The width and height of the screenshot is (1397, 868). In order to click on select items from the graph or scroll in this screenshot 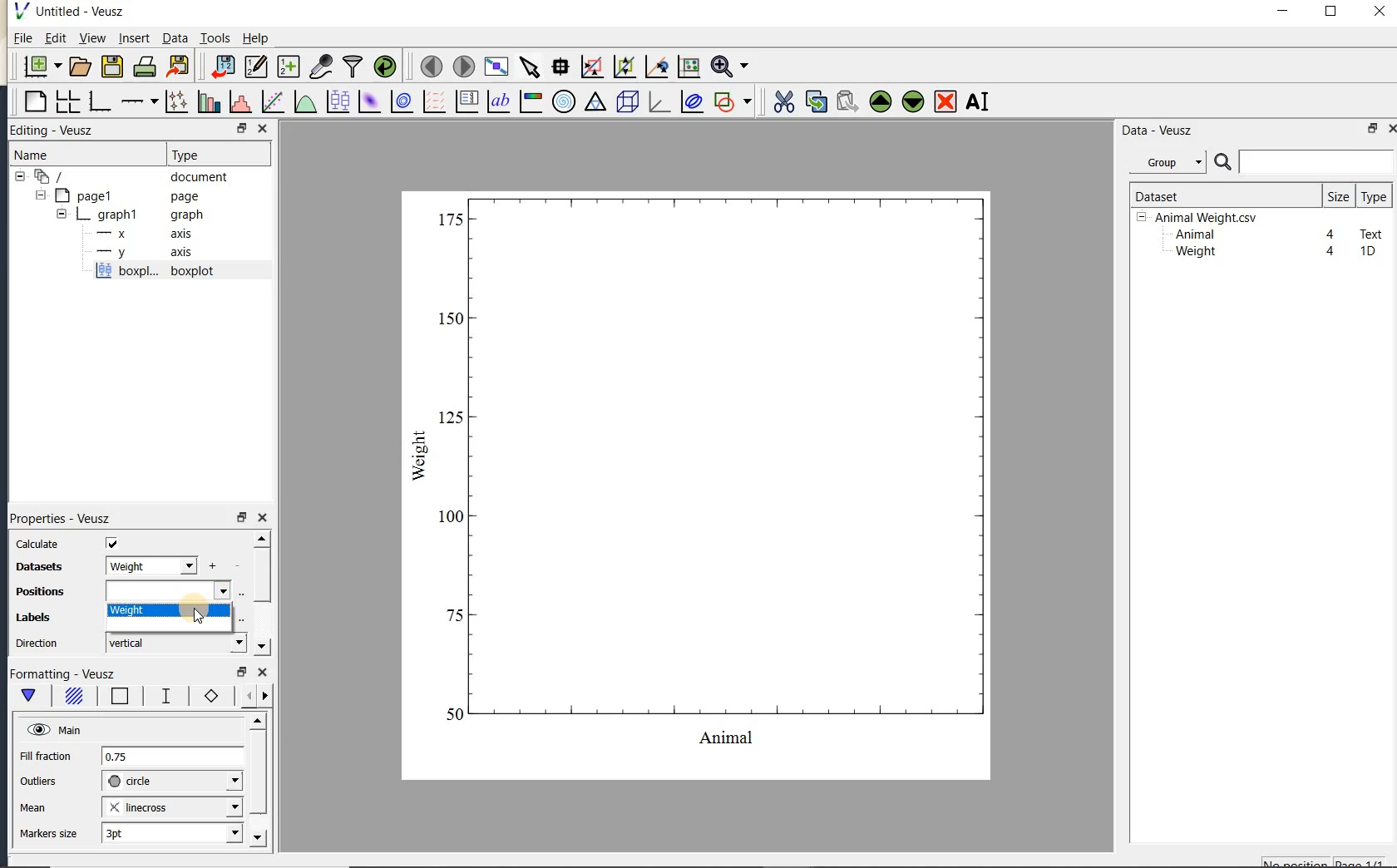, I will do `click(531, 67)`.